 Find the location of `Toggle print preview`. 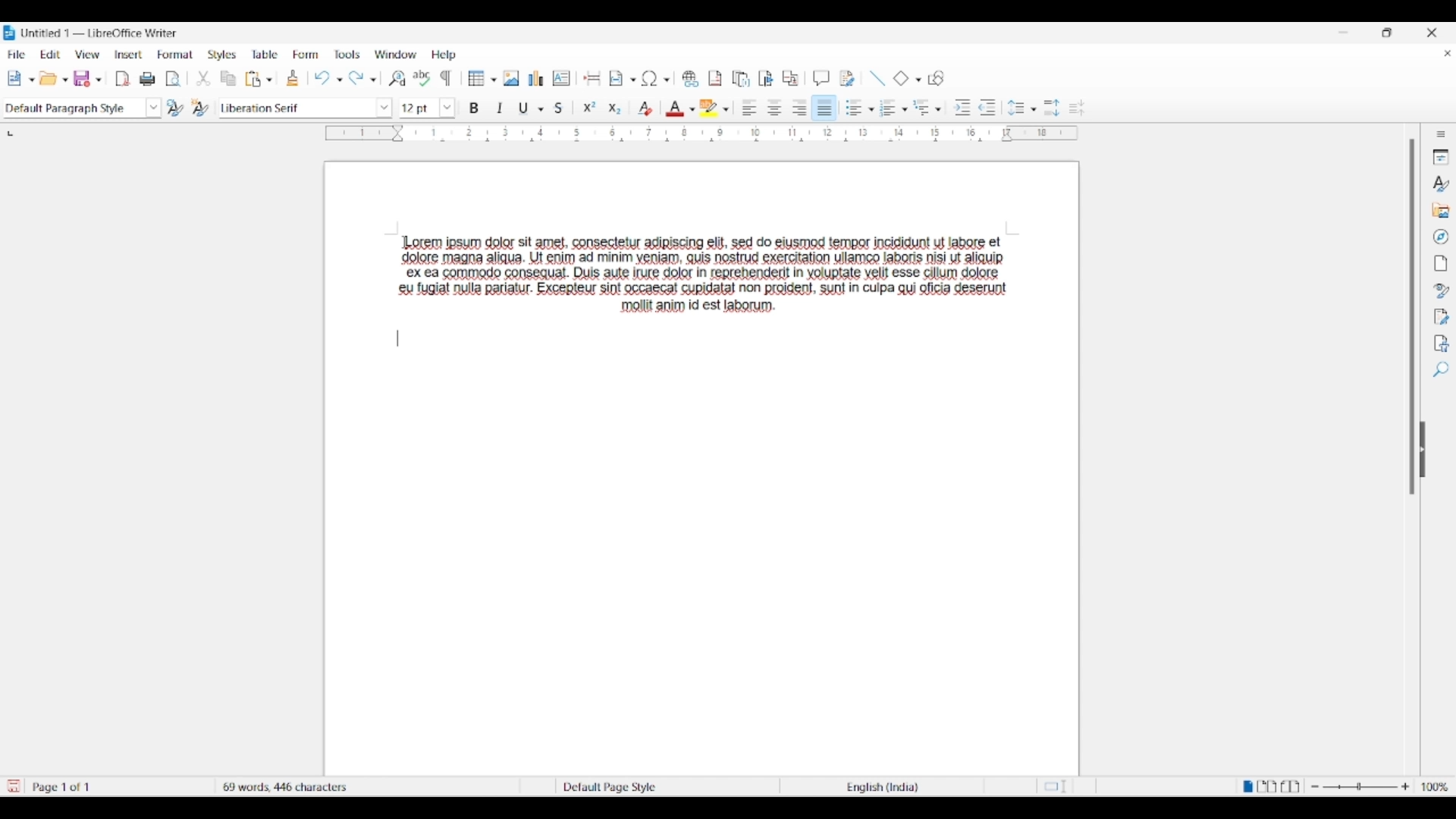

Toggle print preview is located at coordinates (174, 79).